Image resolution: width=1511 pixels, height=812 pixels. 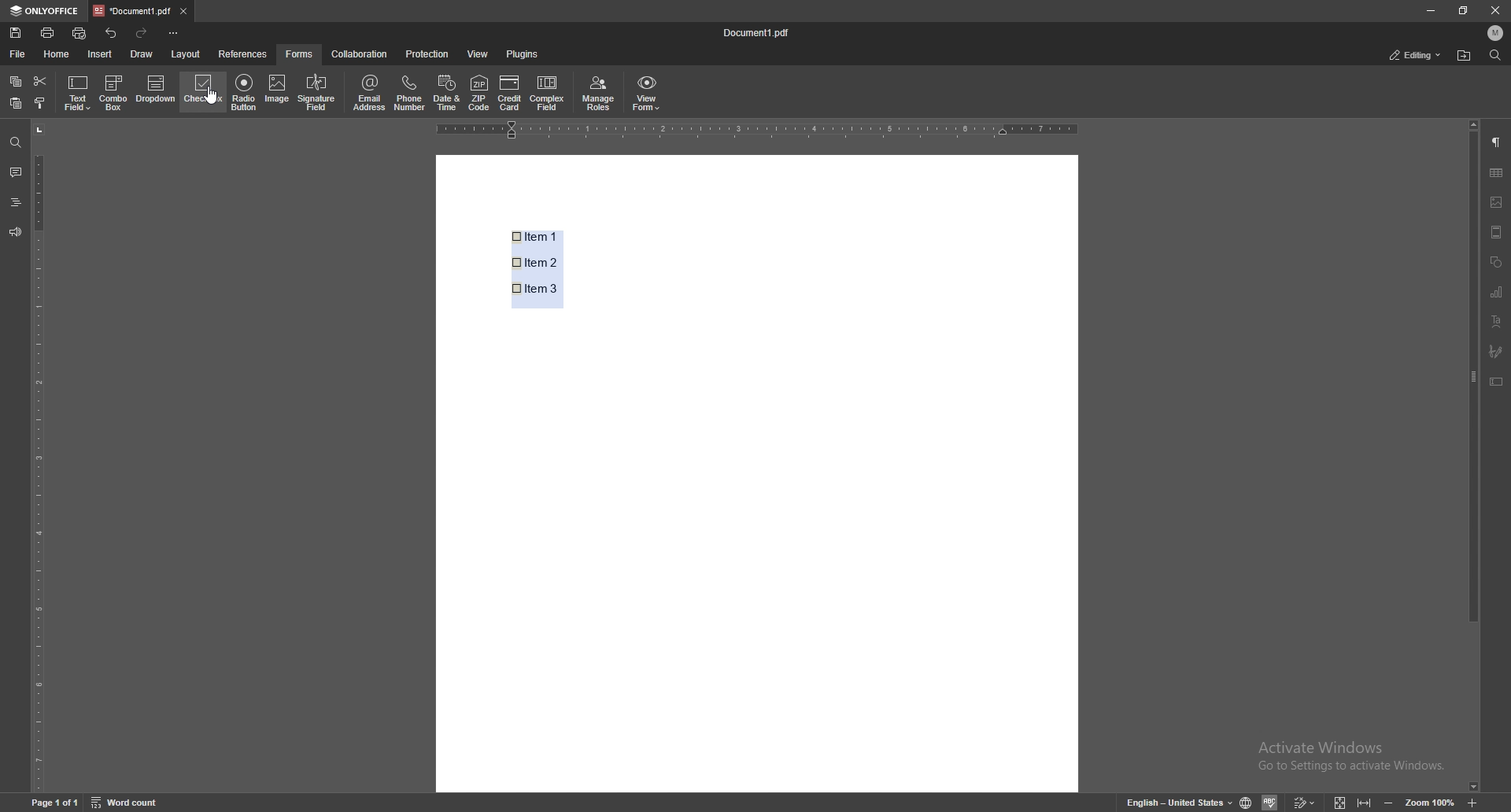 I want to click on list, so click(x=556, y=266).